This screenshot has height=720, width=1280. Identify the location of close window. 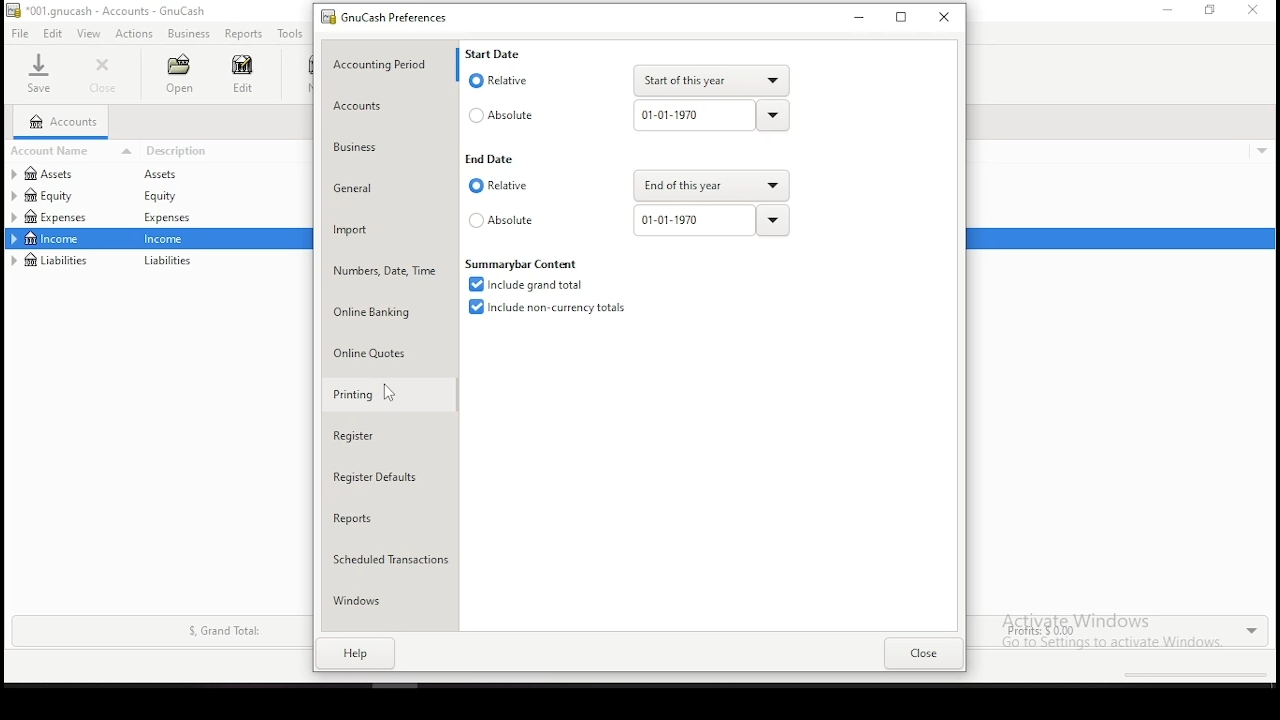
(1254, 10).